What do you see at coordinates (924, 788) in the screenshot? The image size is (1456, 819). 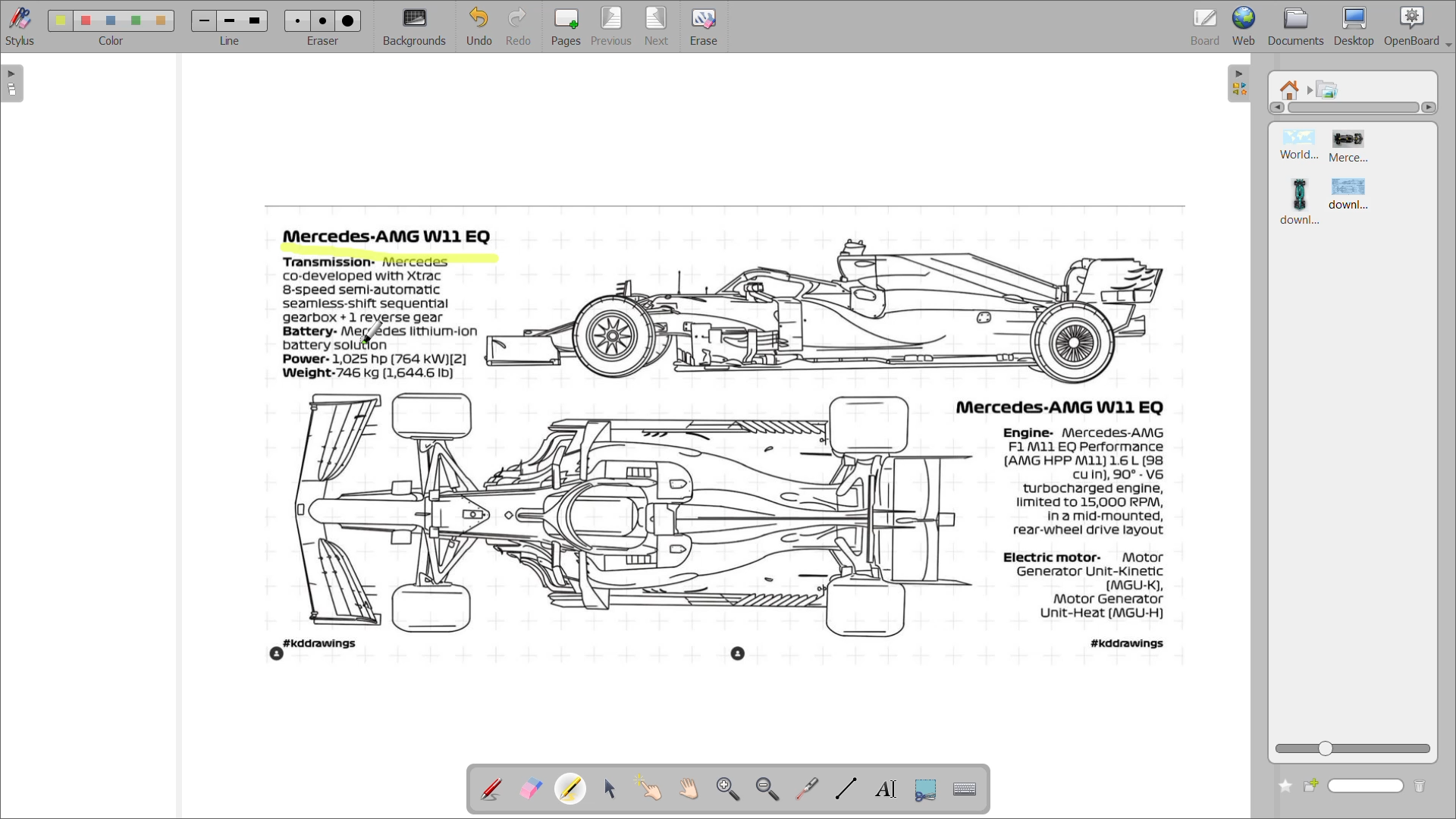 I see `capture part of screen` at bounding box center [924, 788].